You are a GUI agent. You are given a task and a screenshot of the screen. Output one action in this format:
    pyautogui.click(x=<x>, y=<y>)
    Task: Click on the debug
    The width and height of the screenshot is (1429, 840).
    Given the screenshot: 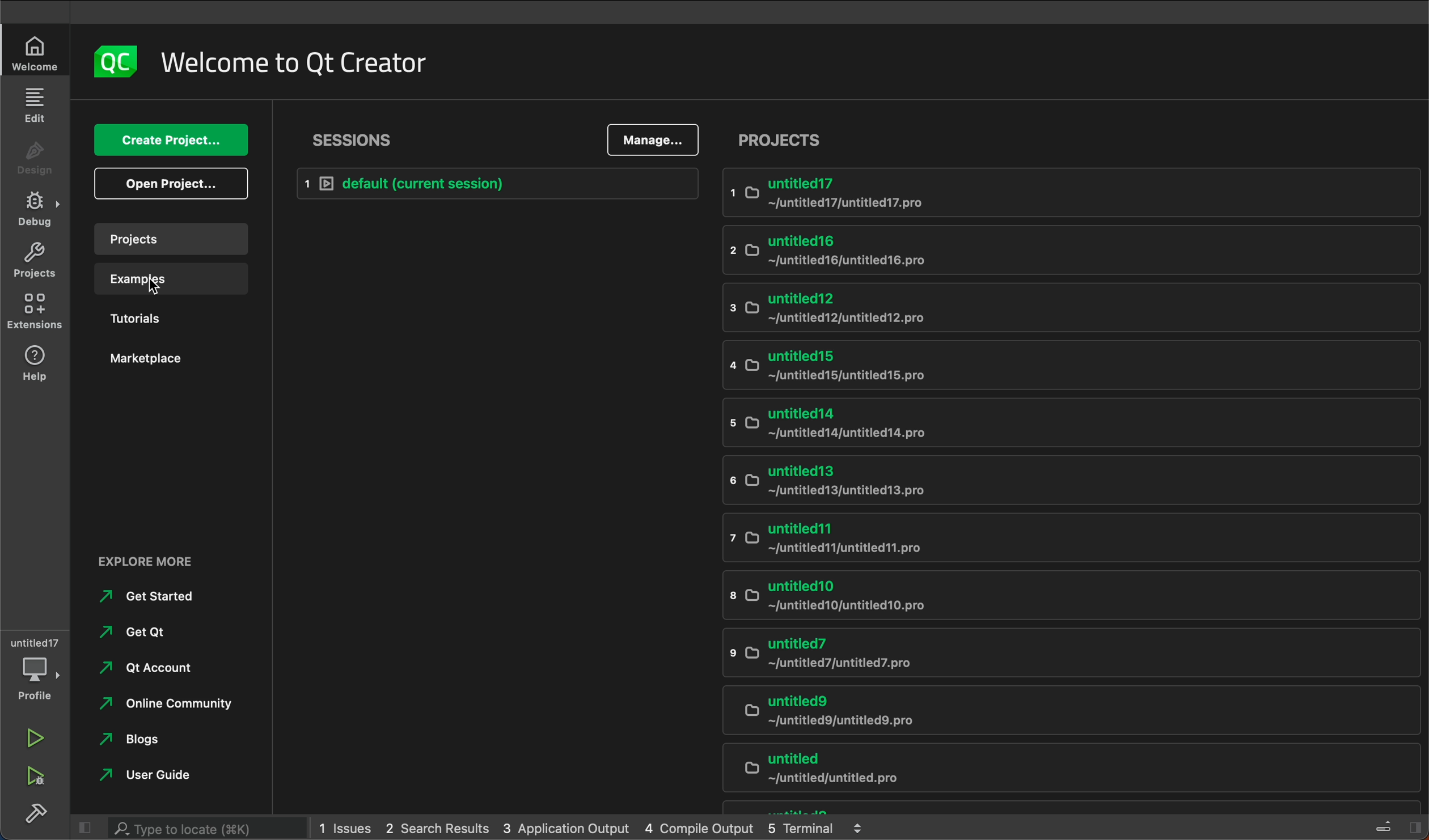 What is the action you would take?
    pyautogui.click(x=37, y=209)
    